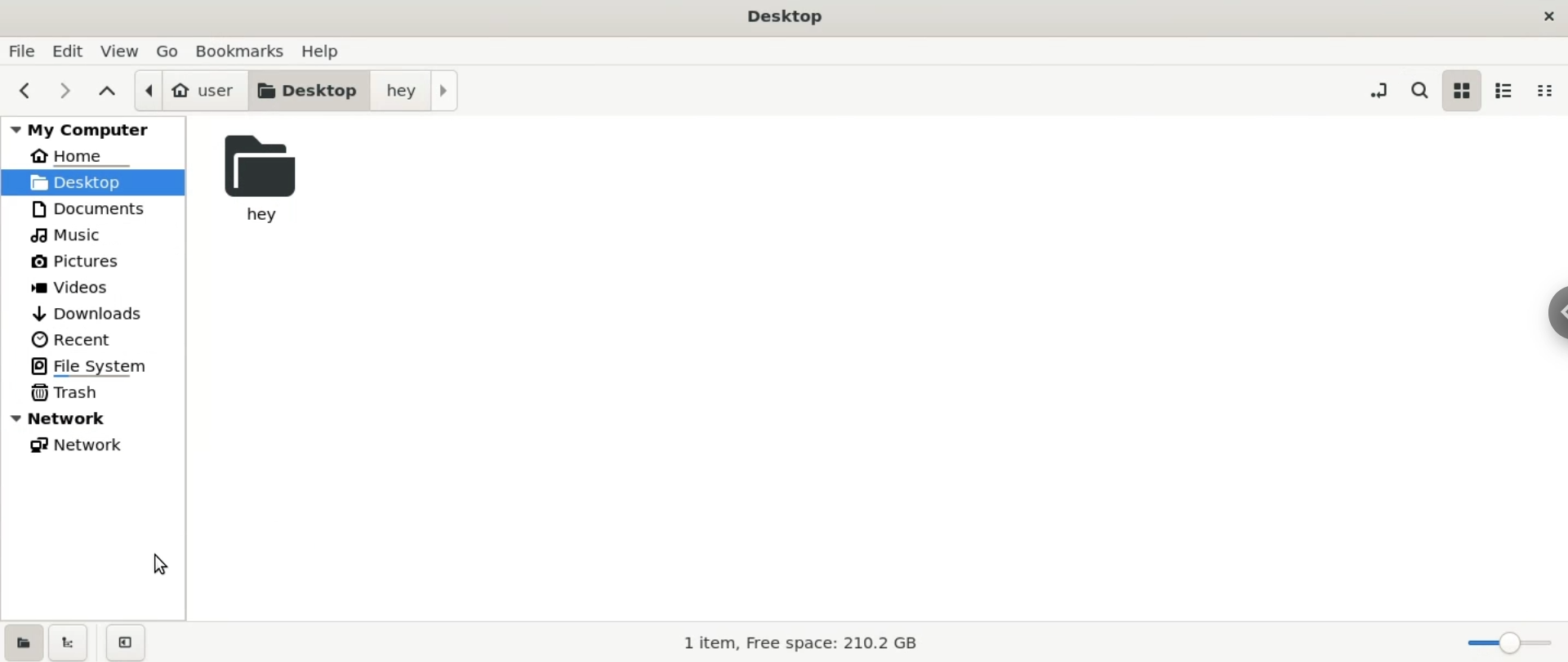  Describe the element at coordinates (69, 234) in the screenshot. I see `music` at that location.